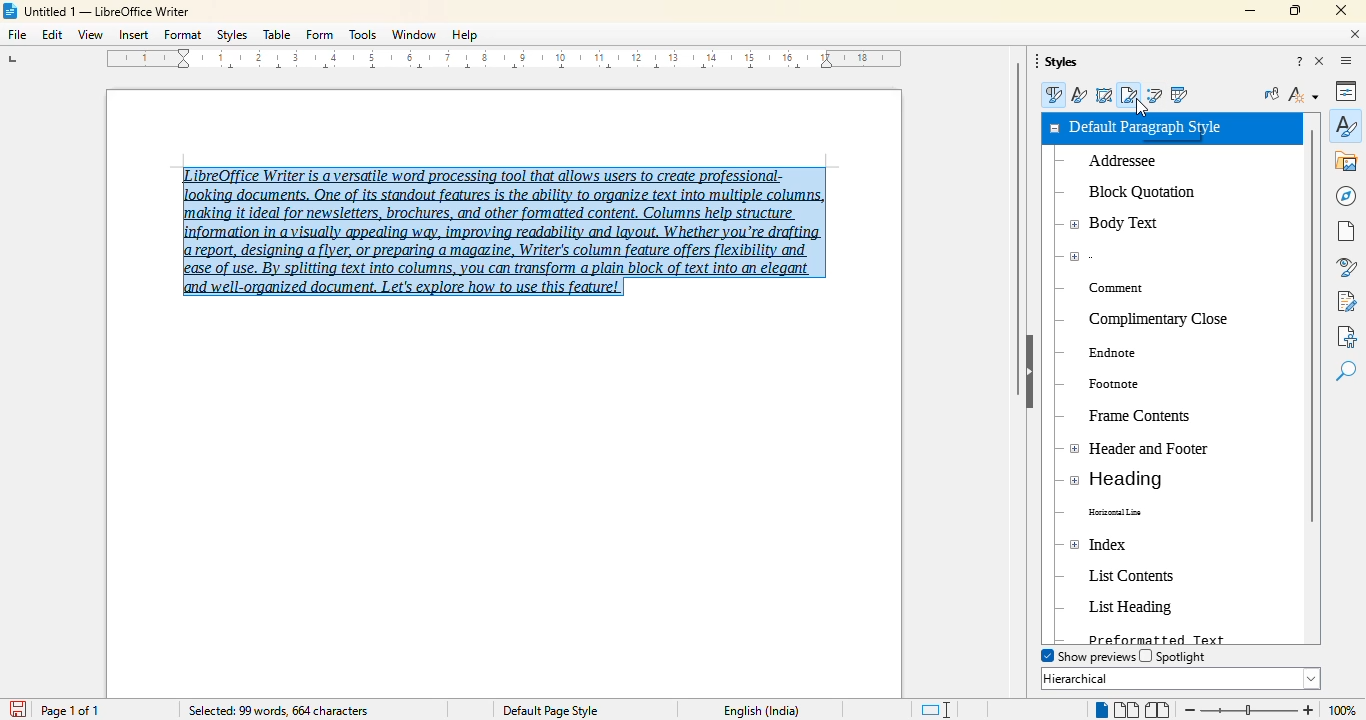 The image size is (1366, 720). What do you see at coordinates (12, 10) in the screenshot?
I see `LibreOffice logo` at bounding box center [12, 10].